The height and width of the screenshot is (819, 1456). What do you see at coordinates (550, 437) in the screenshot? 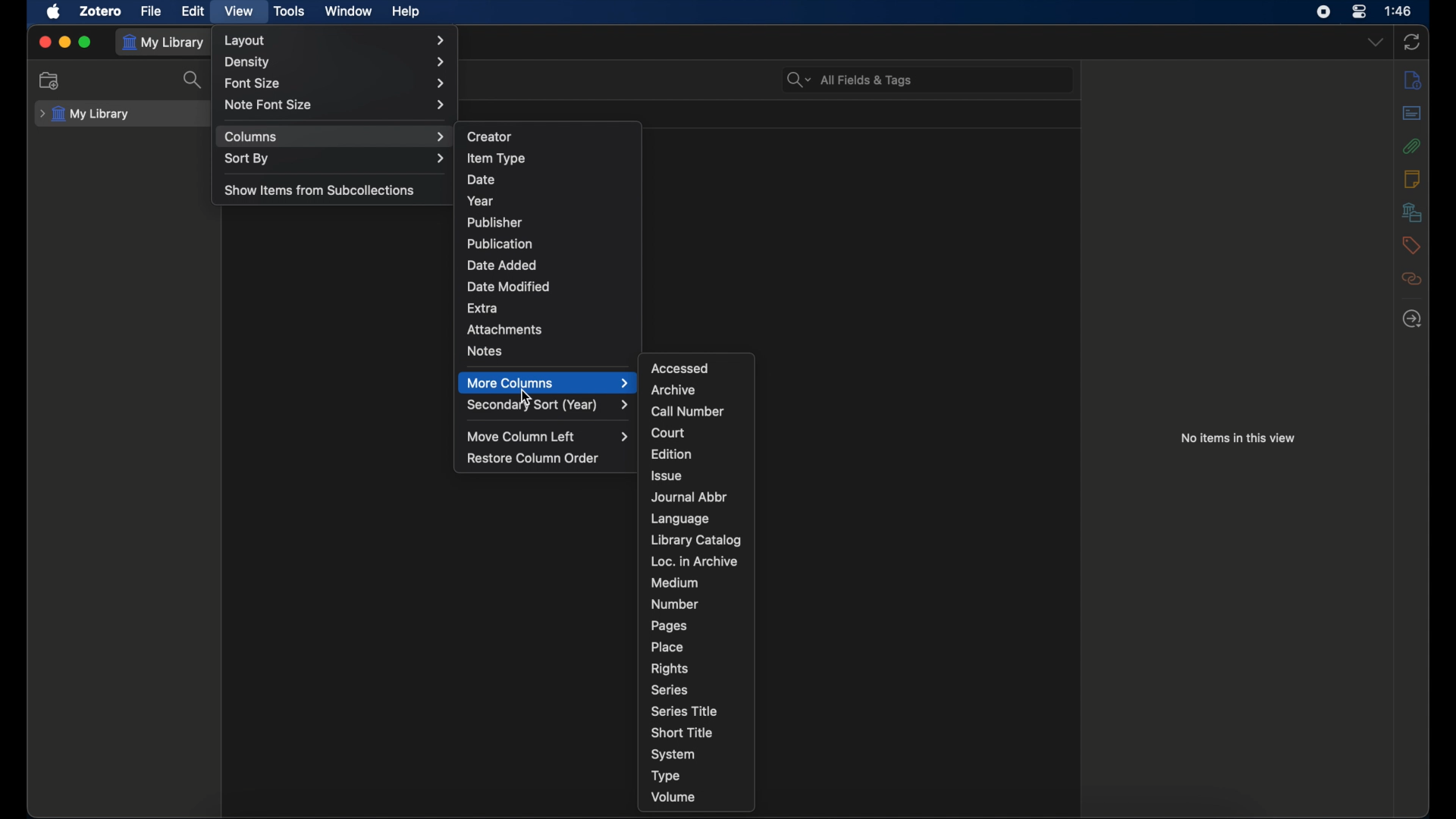
I see `move column left` at bounding box center [550, 437].